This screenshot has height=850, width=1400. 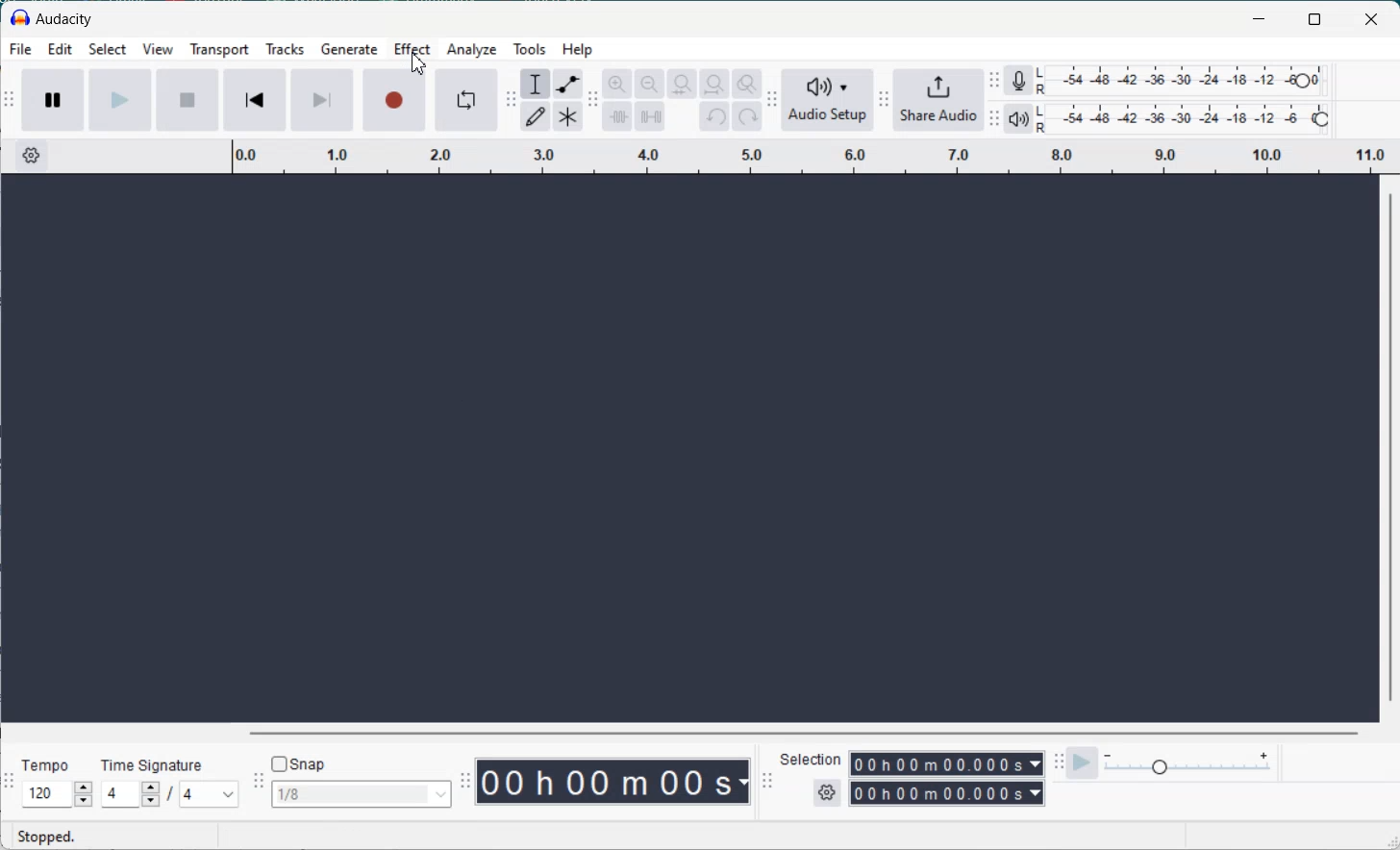 I want to click on Audacity time toolbar, so click(x=465, y=781).